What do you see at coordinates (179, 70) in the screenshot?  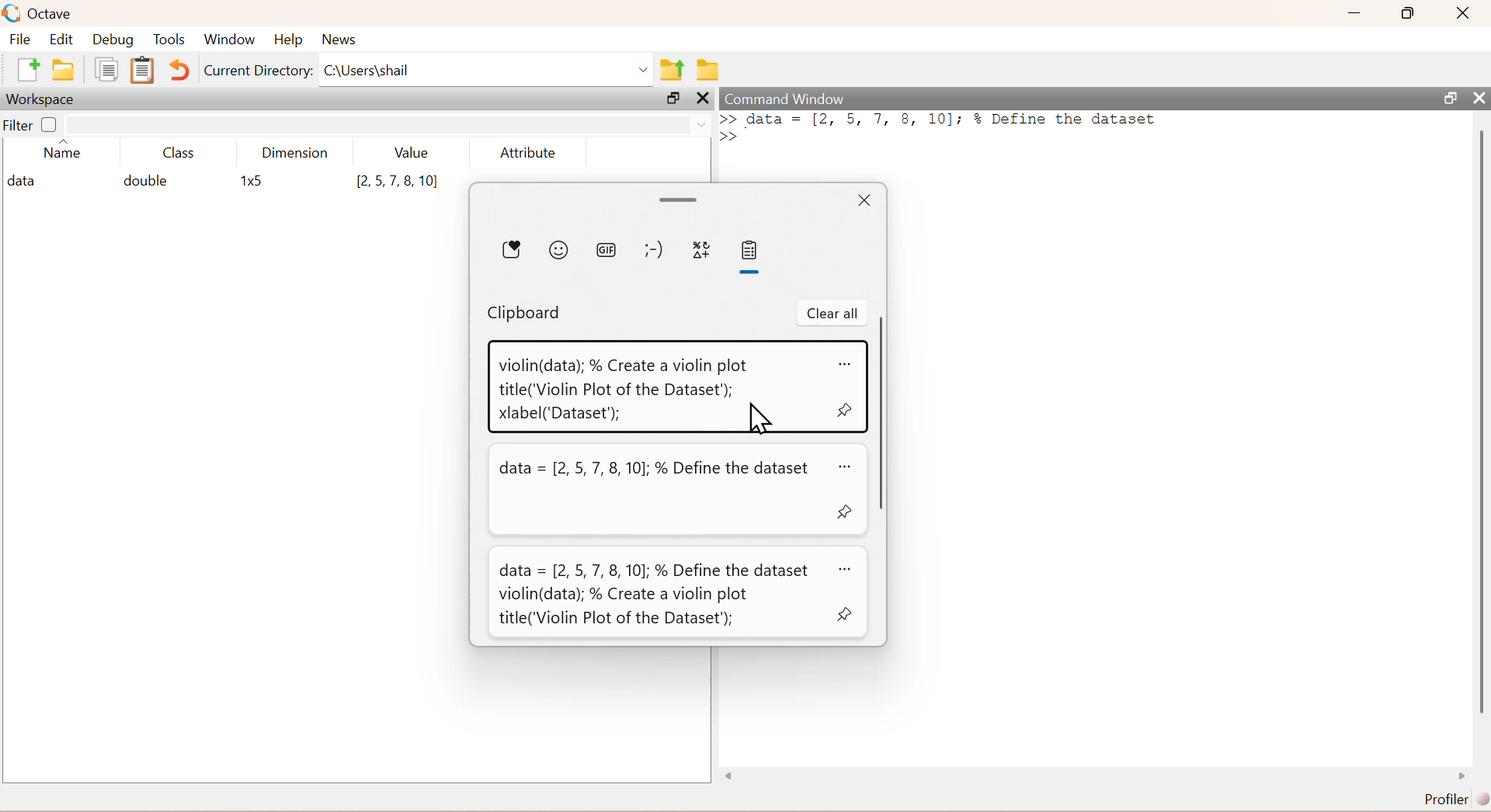 I see `Undo ` at bounding box center [179, 70].